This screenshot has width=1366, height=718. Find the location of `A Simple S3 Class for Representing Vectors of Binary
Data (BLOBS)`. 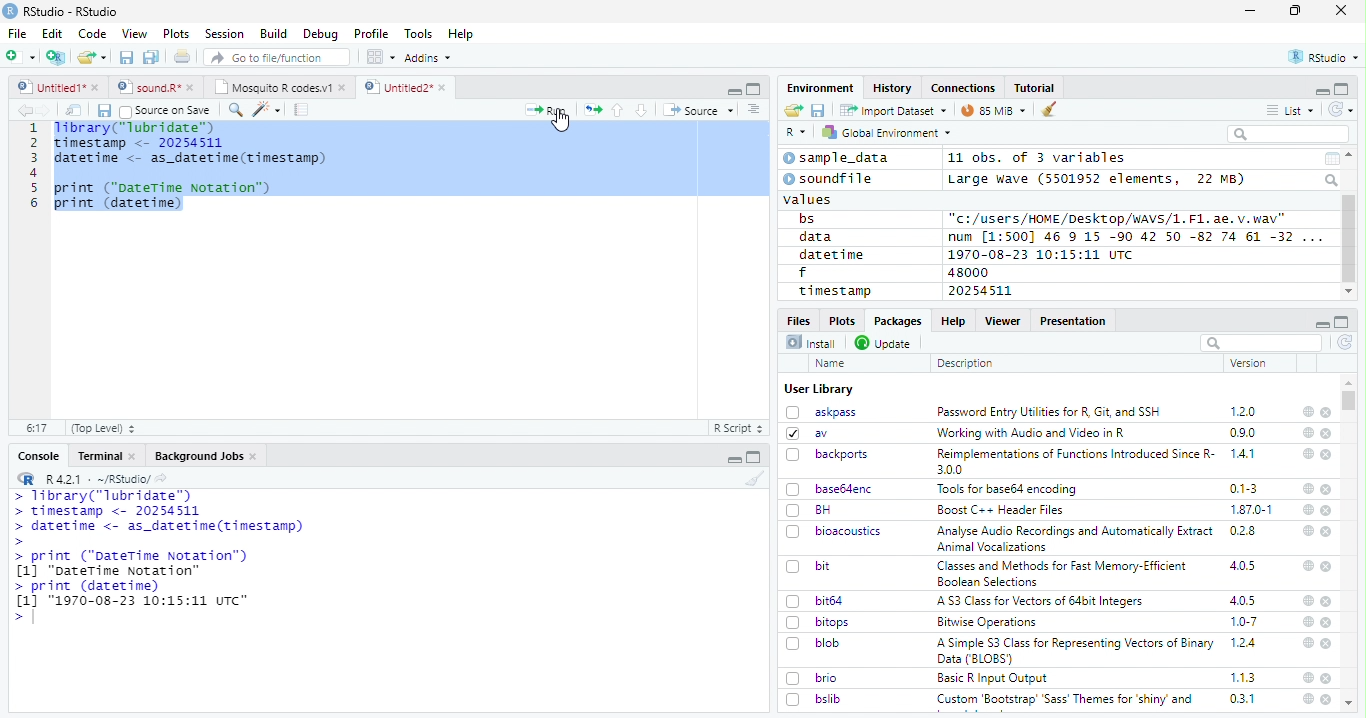

A Simple S3 Class for Representing Vectors of Binary
Data (BLOBS) is located at coordinates (1077, 650).